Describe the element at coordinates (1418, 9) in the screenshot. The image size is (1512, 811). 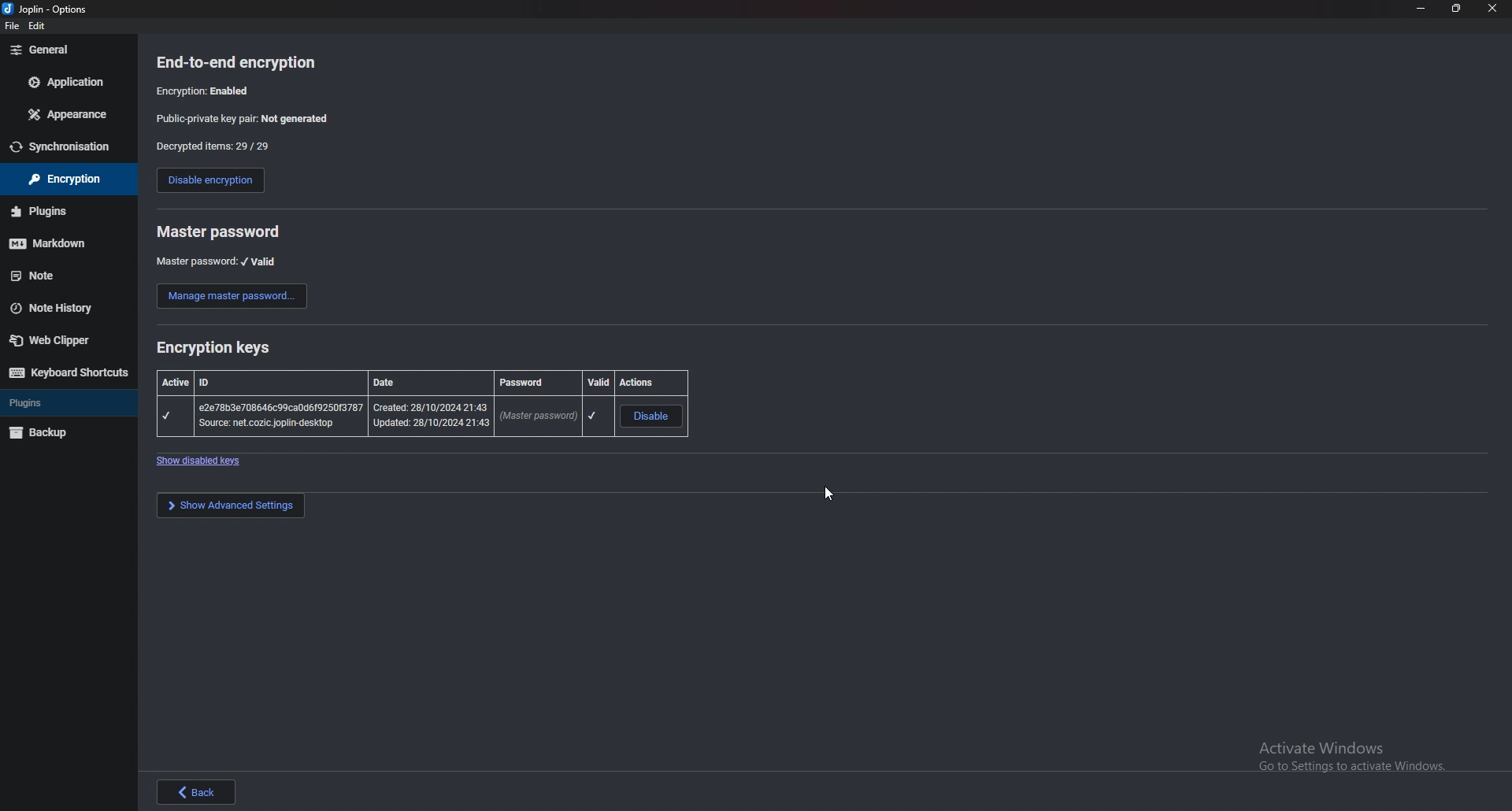
I see `` at that location.